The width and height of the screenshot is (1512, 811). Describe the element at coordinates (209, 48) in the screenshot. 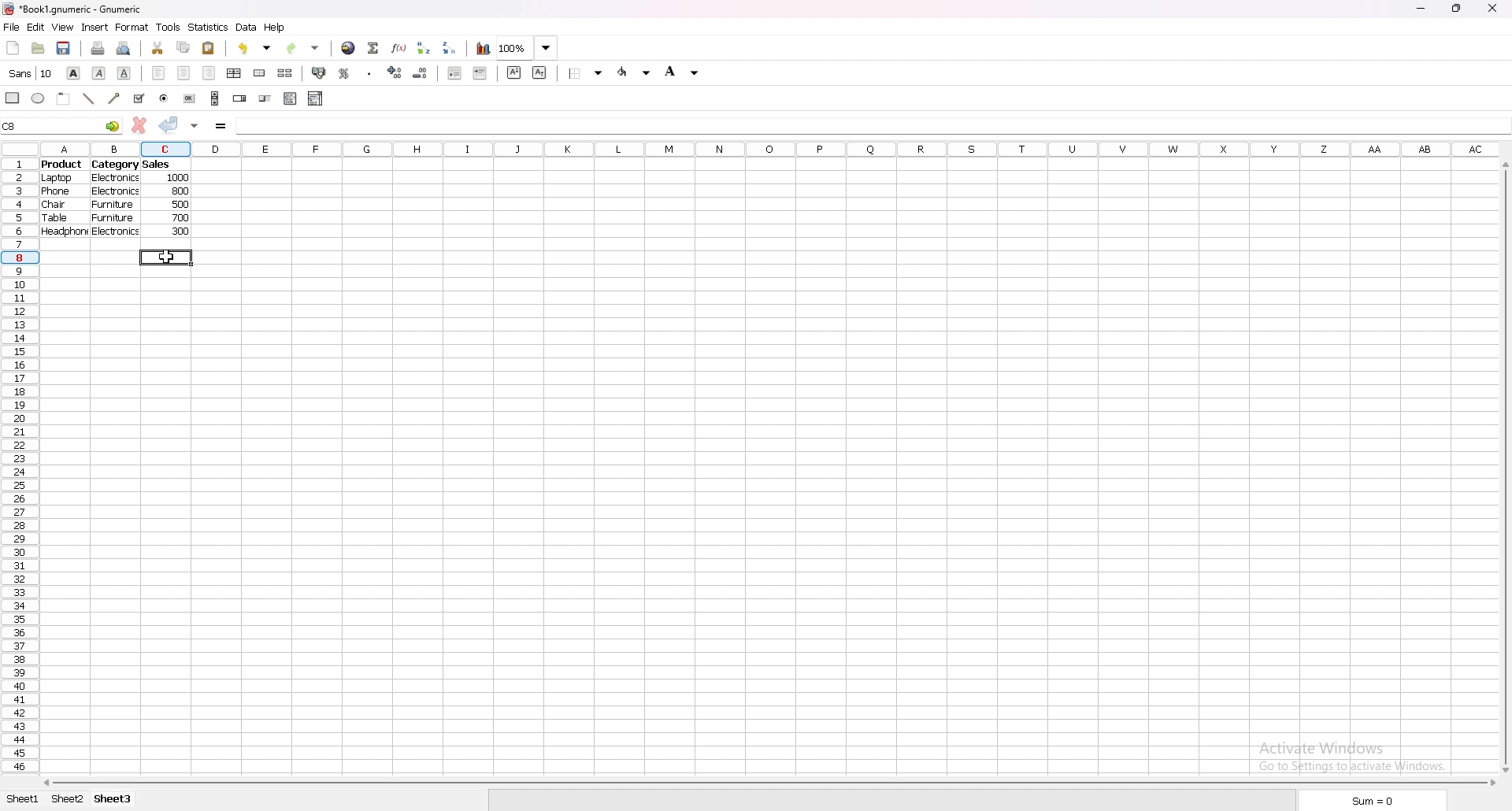

I see `paste` at that location.